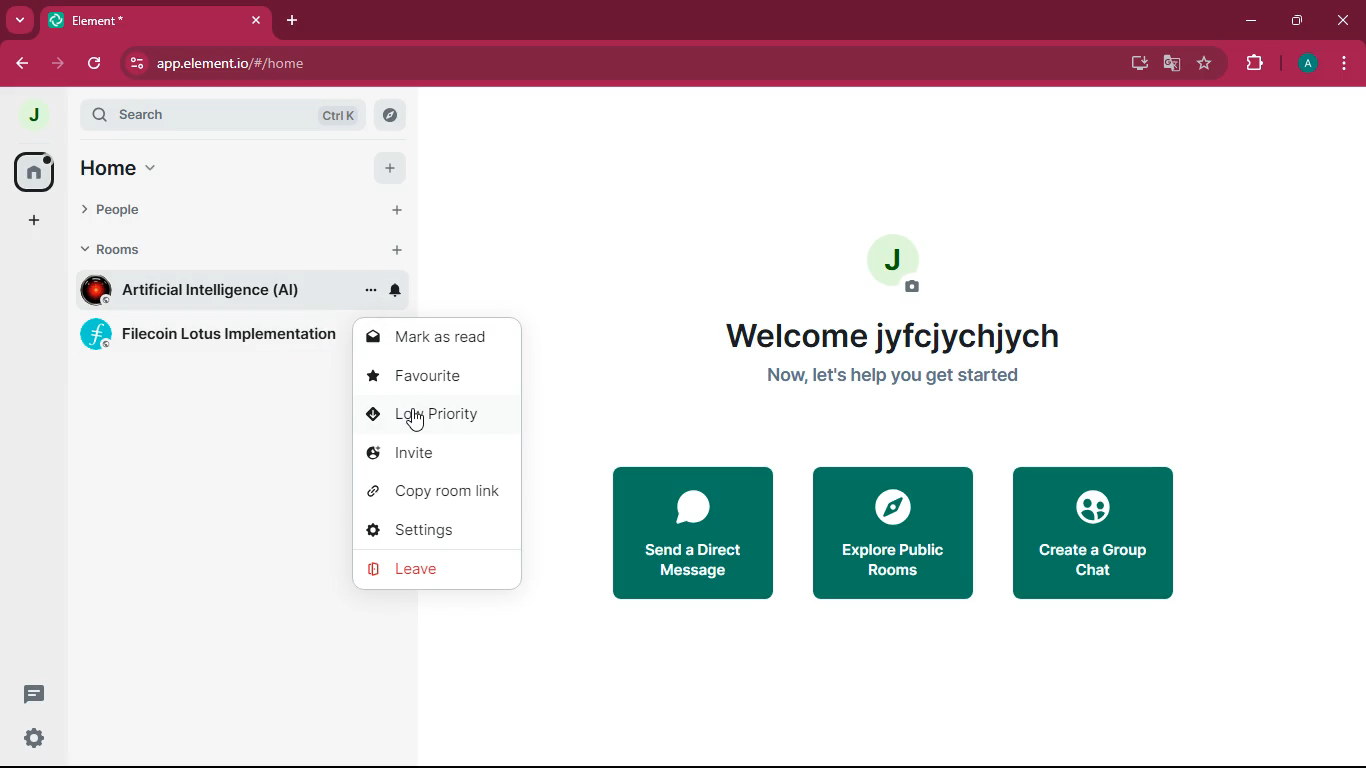 Image resolution: width=1366 pixels, height=768 pixels. What do you see at coordinates (34, 693) in the screenshot?
I see `threads` at bounding box center [34, 693].